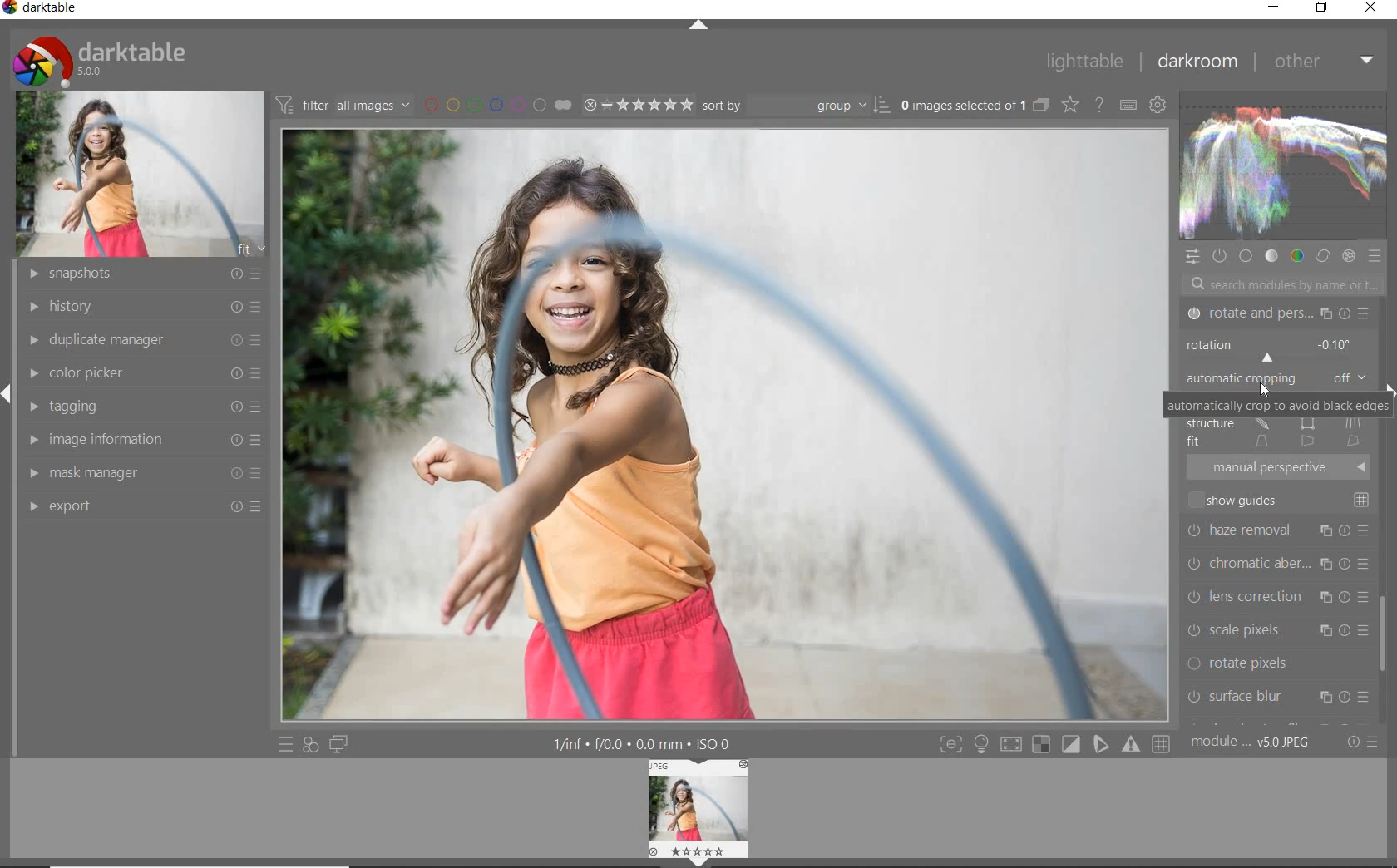 The height and width of the screenshot is (868, 1397). Describe the element at coordinates (146, 340) in the screenshot. I see `duplicate manager` at that location.